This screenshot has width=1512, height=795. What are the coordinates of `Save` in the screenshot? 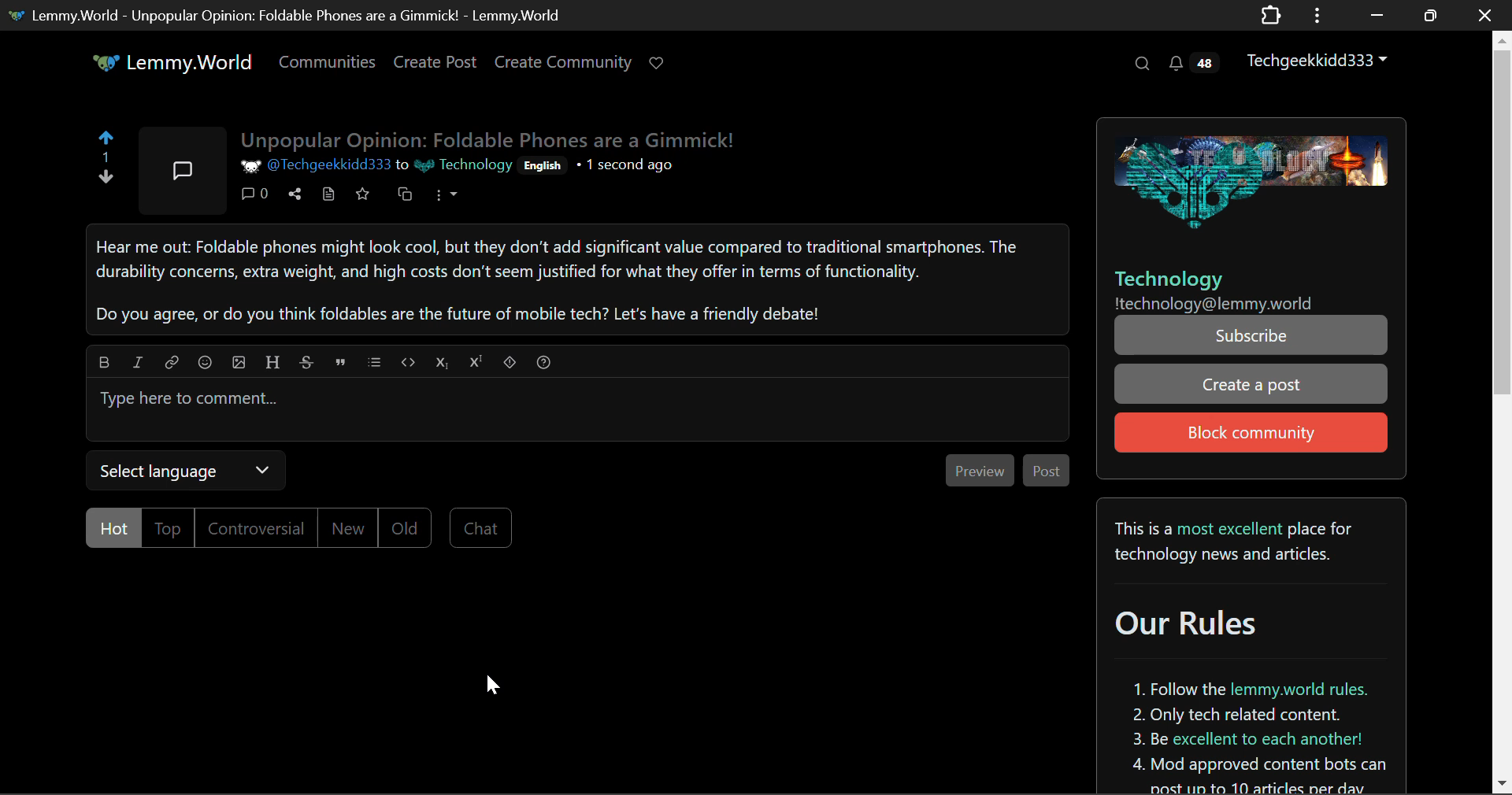 It's located at (362, 197).